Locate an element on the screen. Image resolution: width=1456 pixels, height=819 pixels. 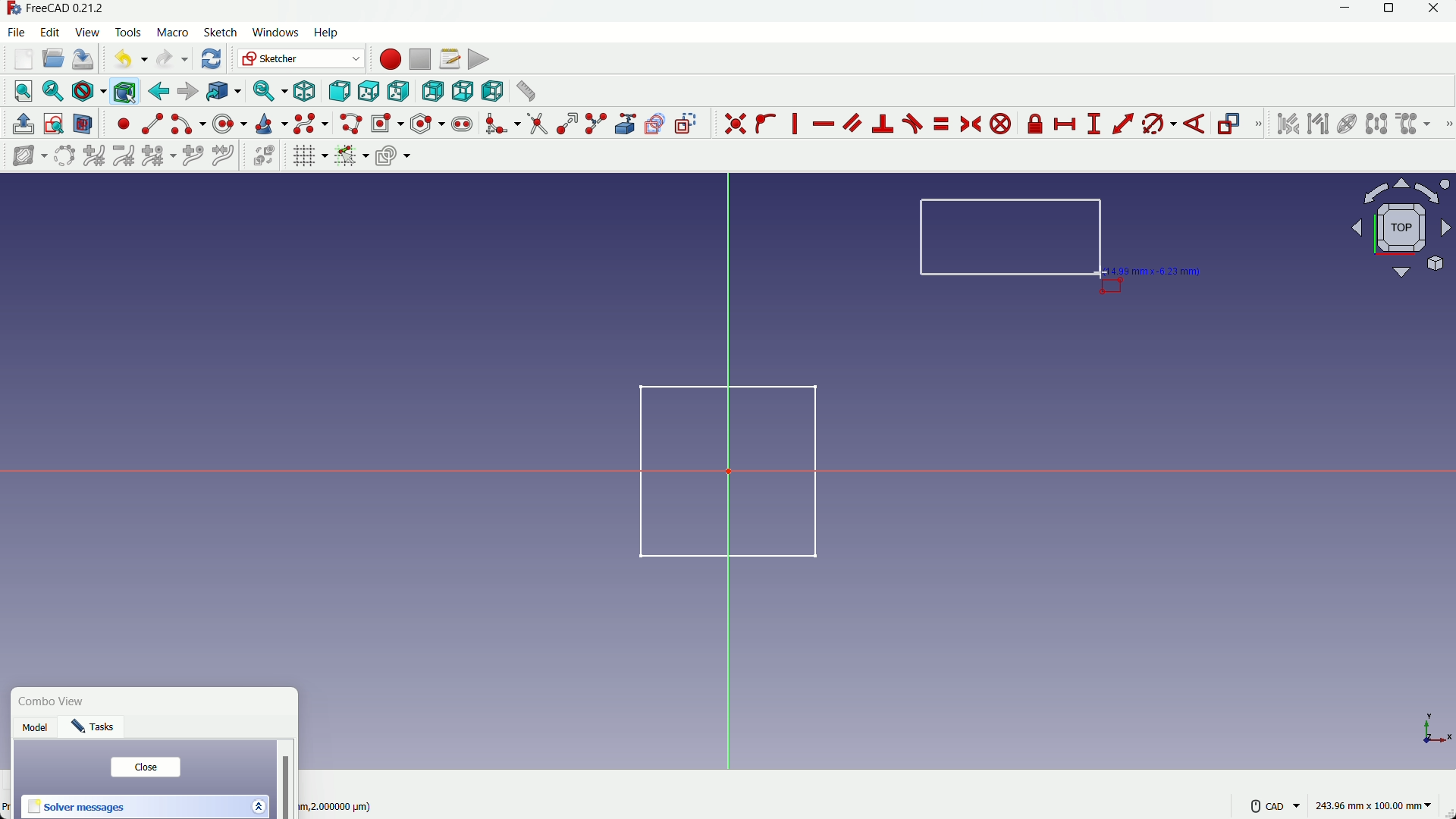
model is located at coordinates (37, 730).